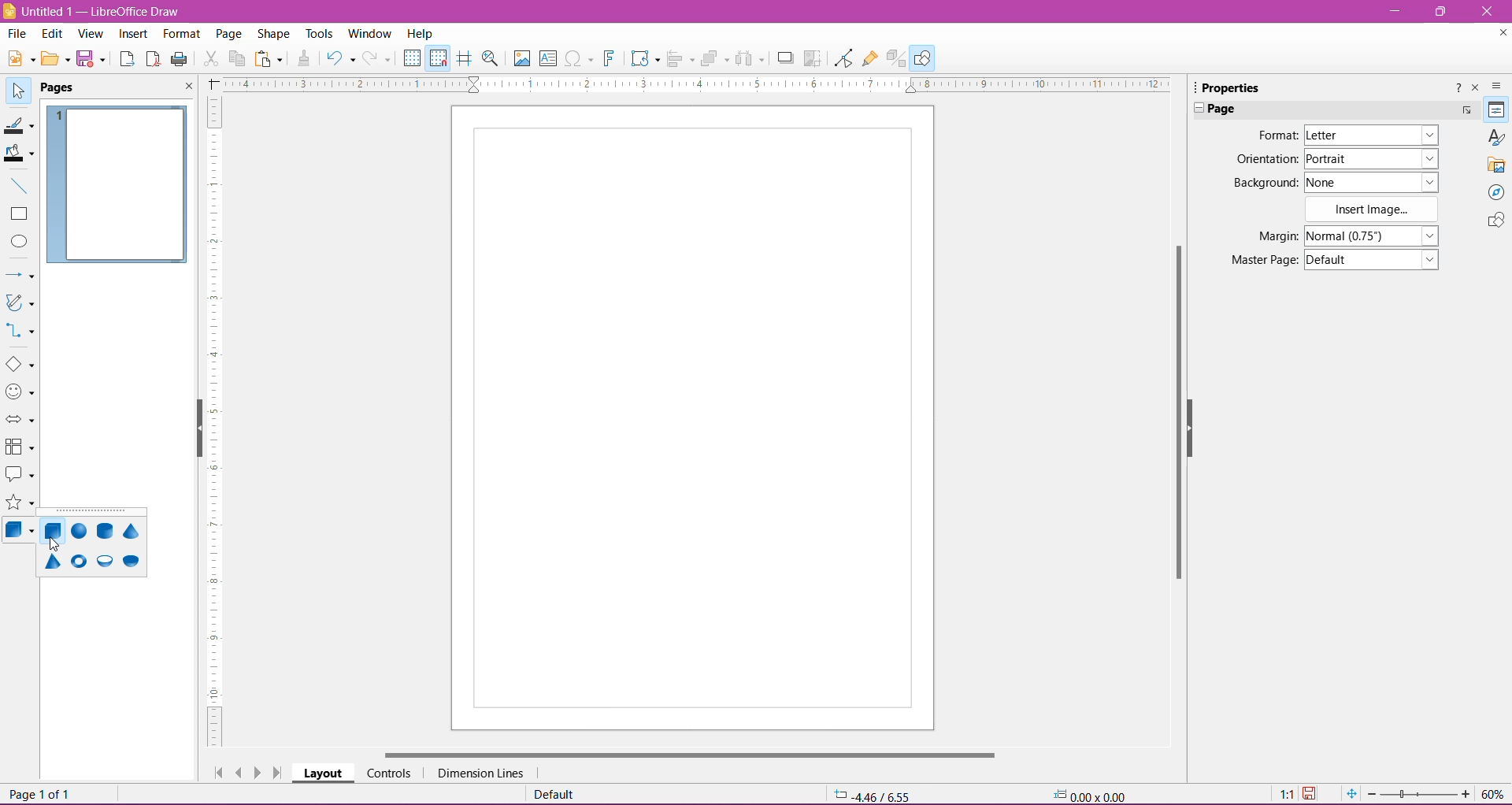  What do you see at coordinates (134, 35) in the screenshot?
I see `Insert` at bounding box center [134, 35].